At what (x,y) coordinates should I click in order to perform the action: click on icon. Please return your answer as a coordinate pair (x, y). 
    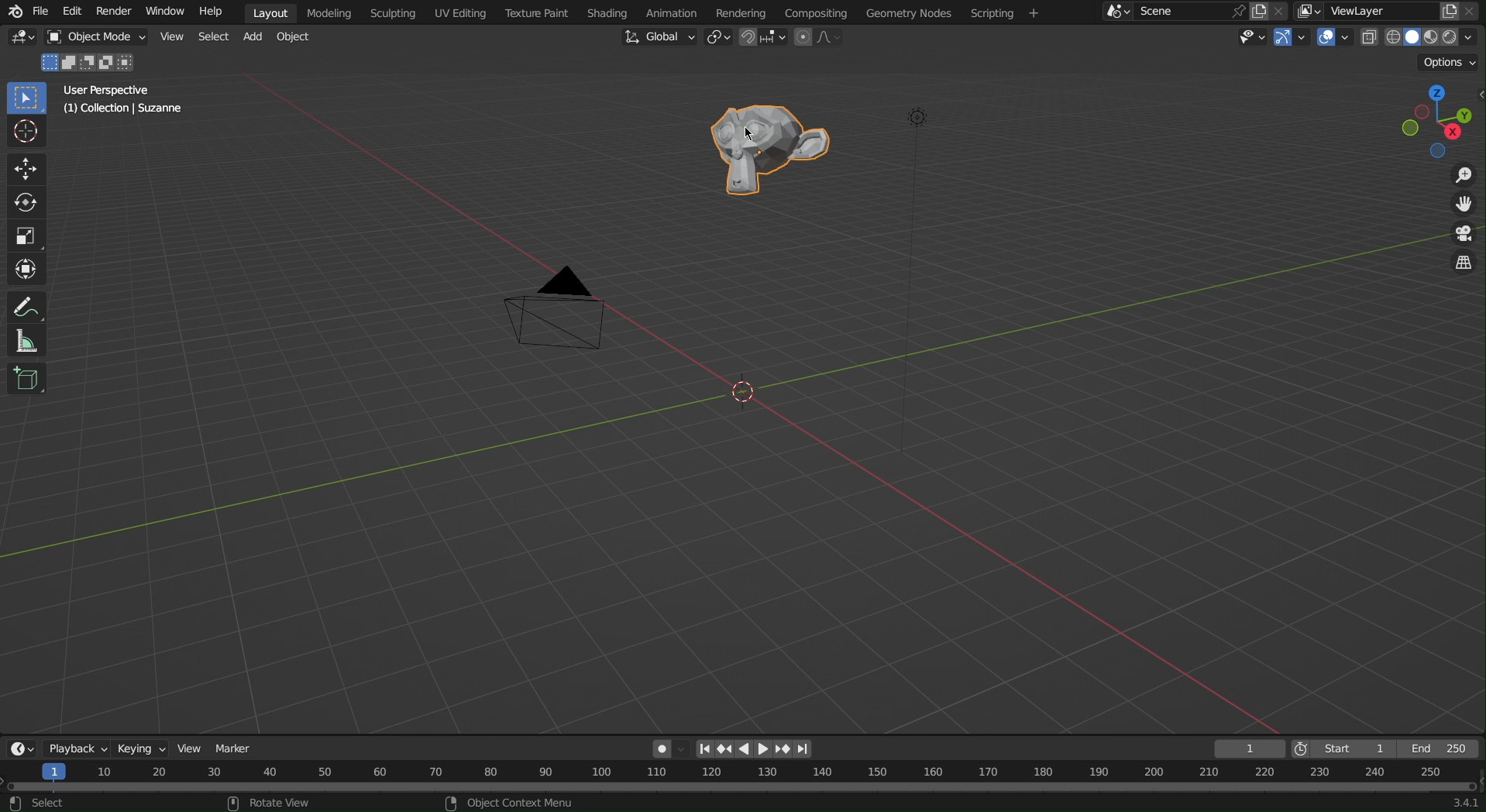
    Looking at the image, I should click on (16, 804).